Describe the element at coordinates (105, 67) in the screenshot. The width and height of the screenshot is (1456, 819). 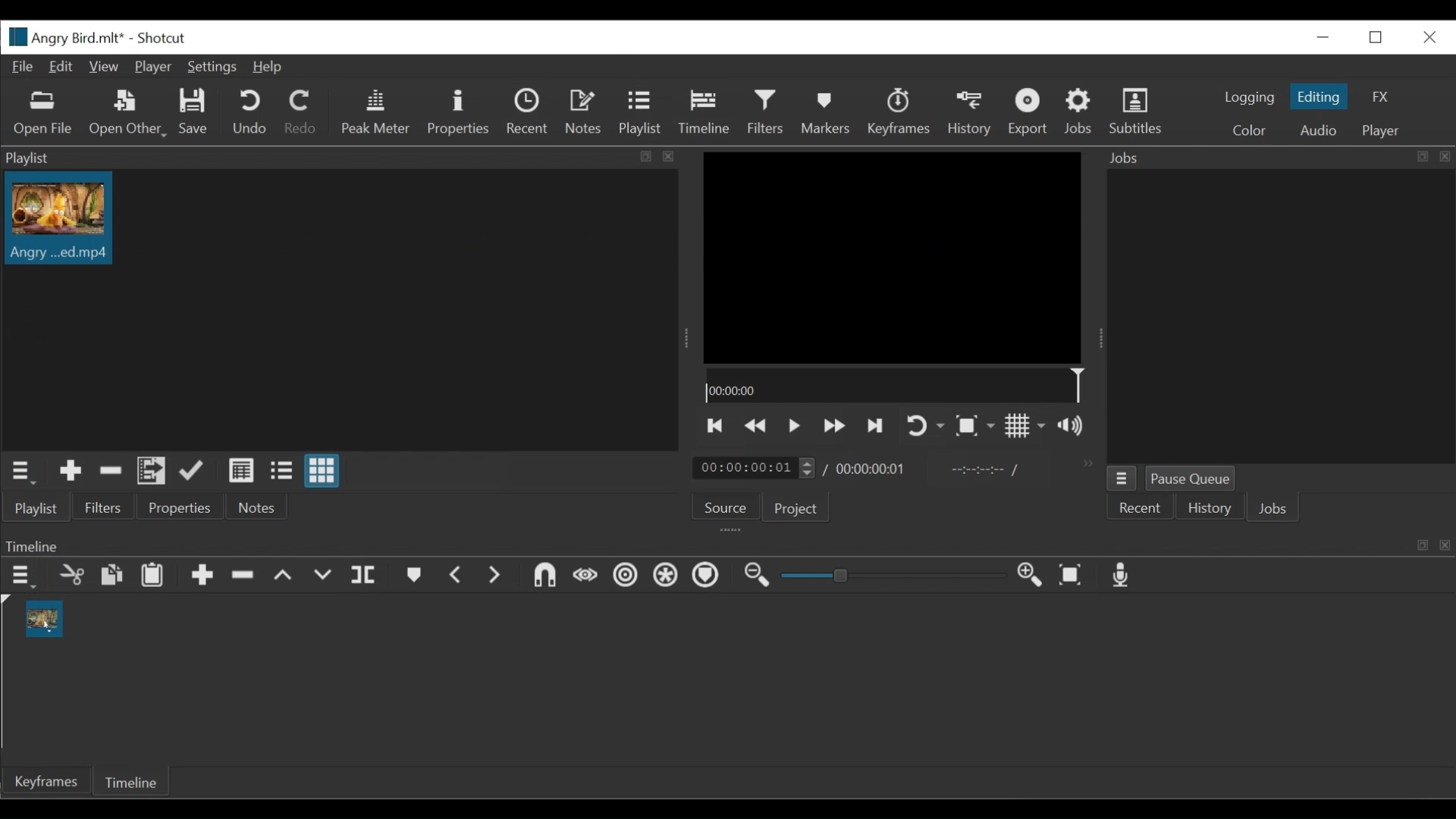
I see `View` at that location.